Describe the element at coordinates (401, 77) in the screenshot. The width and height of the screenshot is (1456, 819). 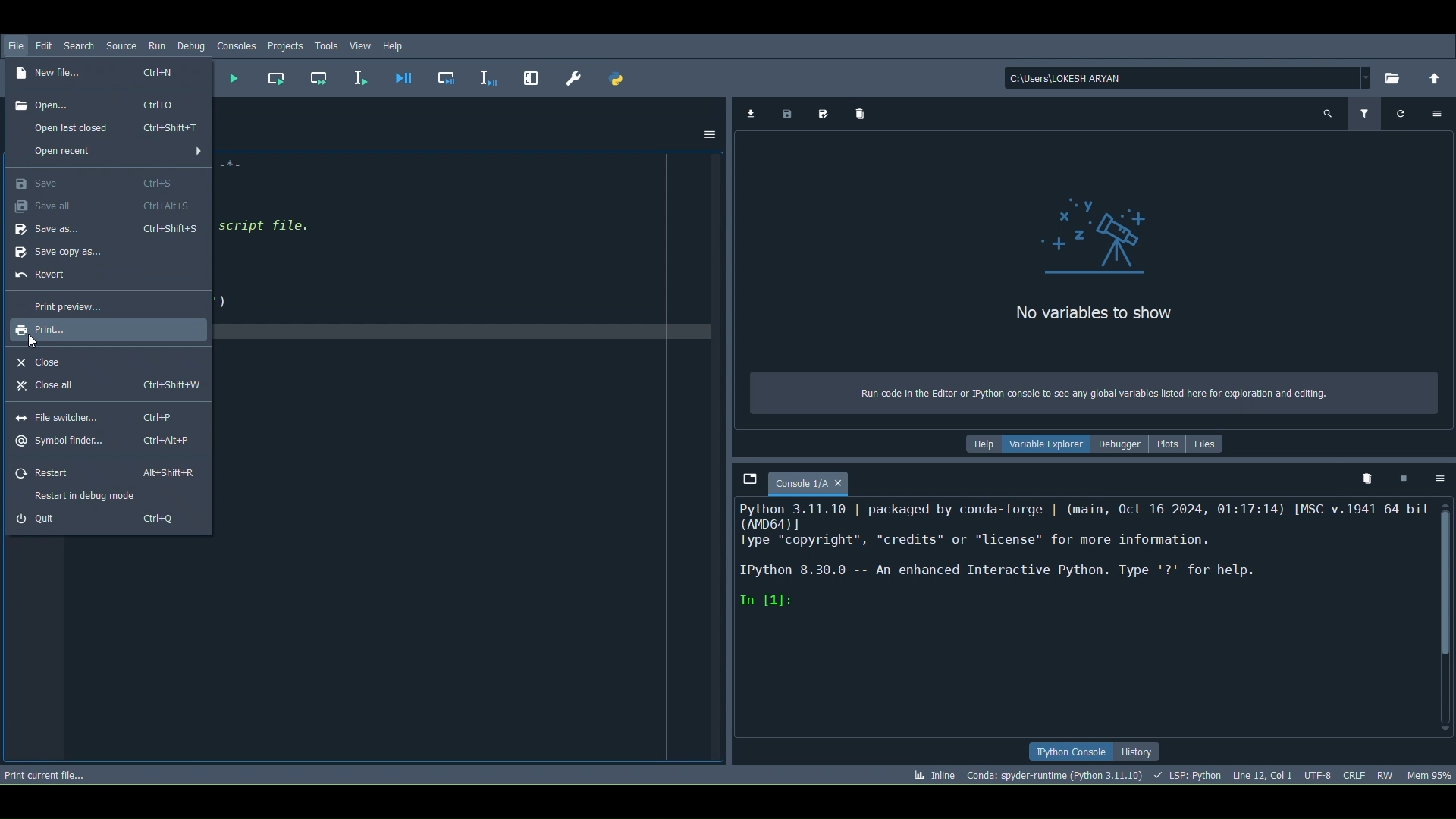
I see `Debug file (Ctrl + F5)` at that location.